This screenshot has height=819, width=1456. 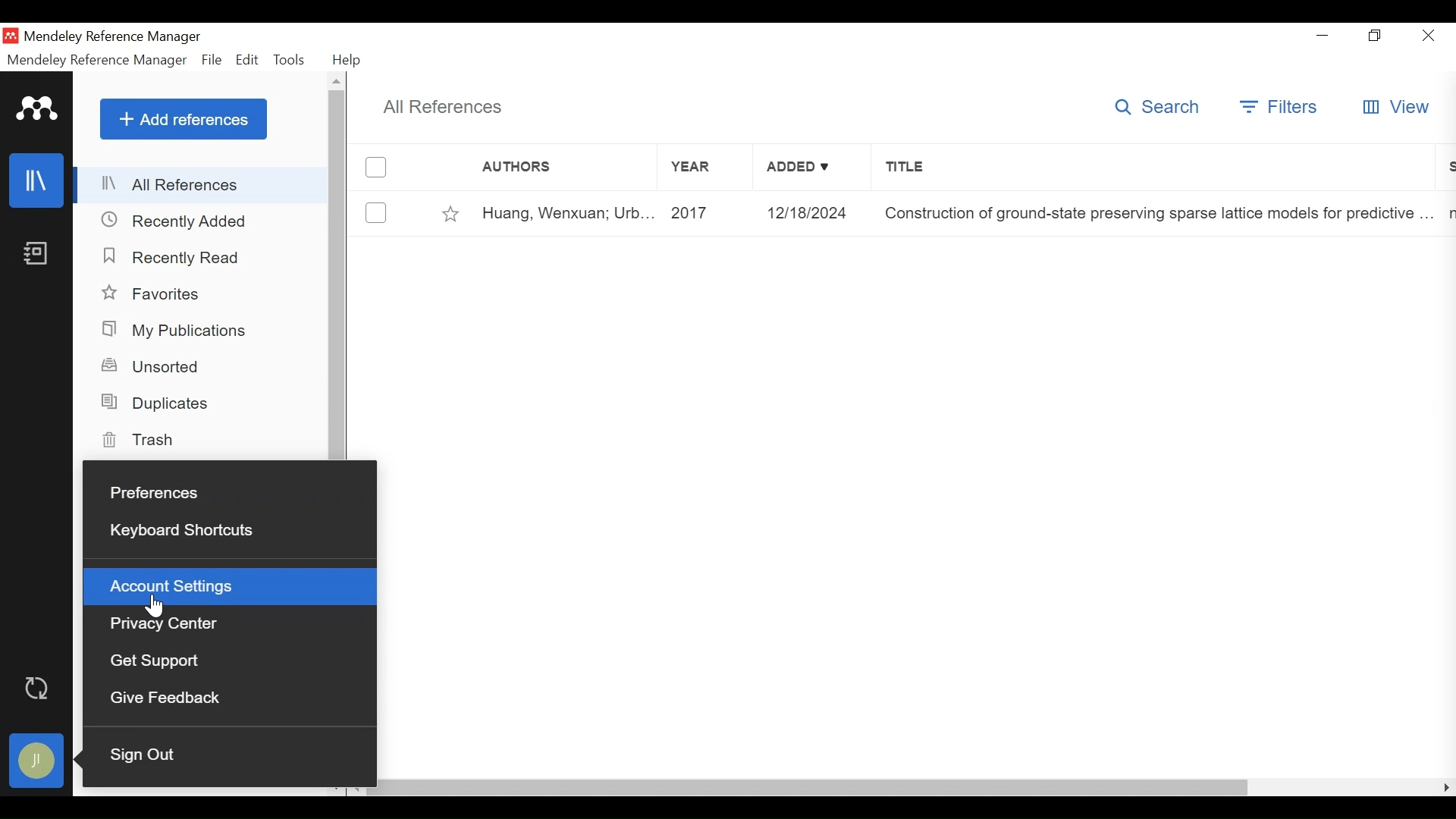 I want to click on All References, so click(x=444, y=108).